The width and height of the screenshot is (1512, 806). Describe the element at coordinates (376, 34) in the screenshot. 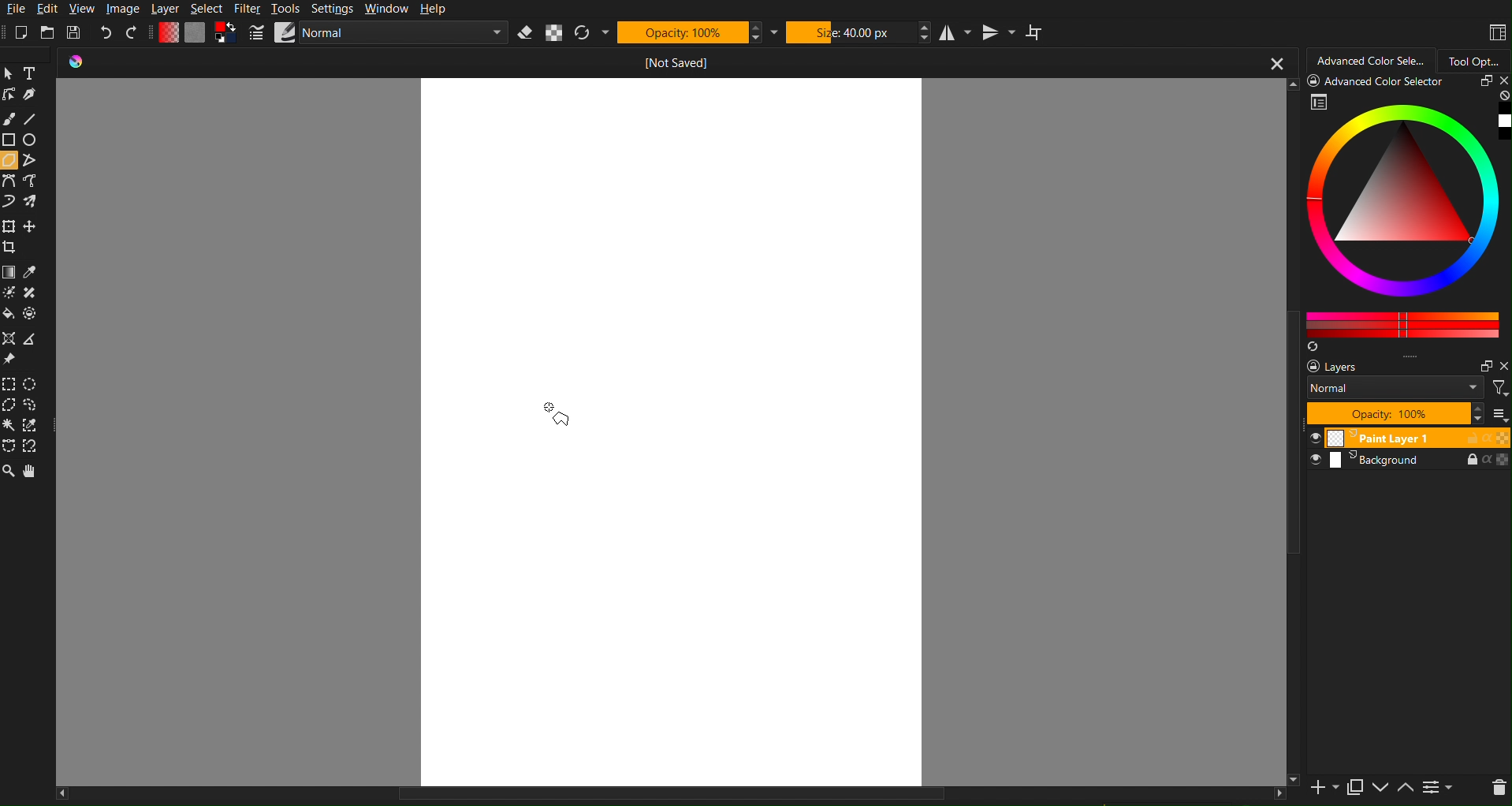

I see `Brush Settings` at that location.